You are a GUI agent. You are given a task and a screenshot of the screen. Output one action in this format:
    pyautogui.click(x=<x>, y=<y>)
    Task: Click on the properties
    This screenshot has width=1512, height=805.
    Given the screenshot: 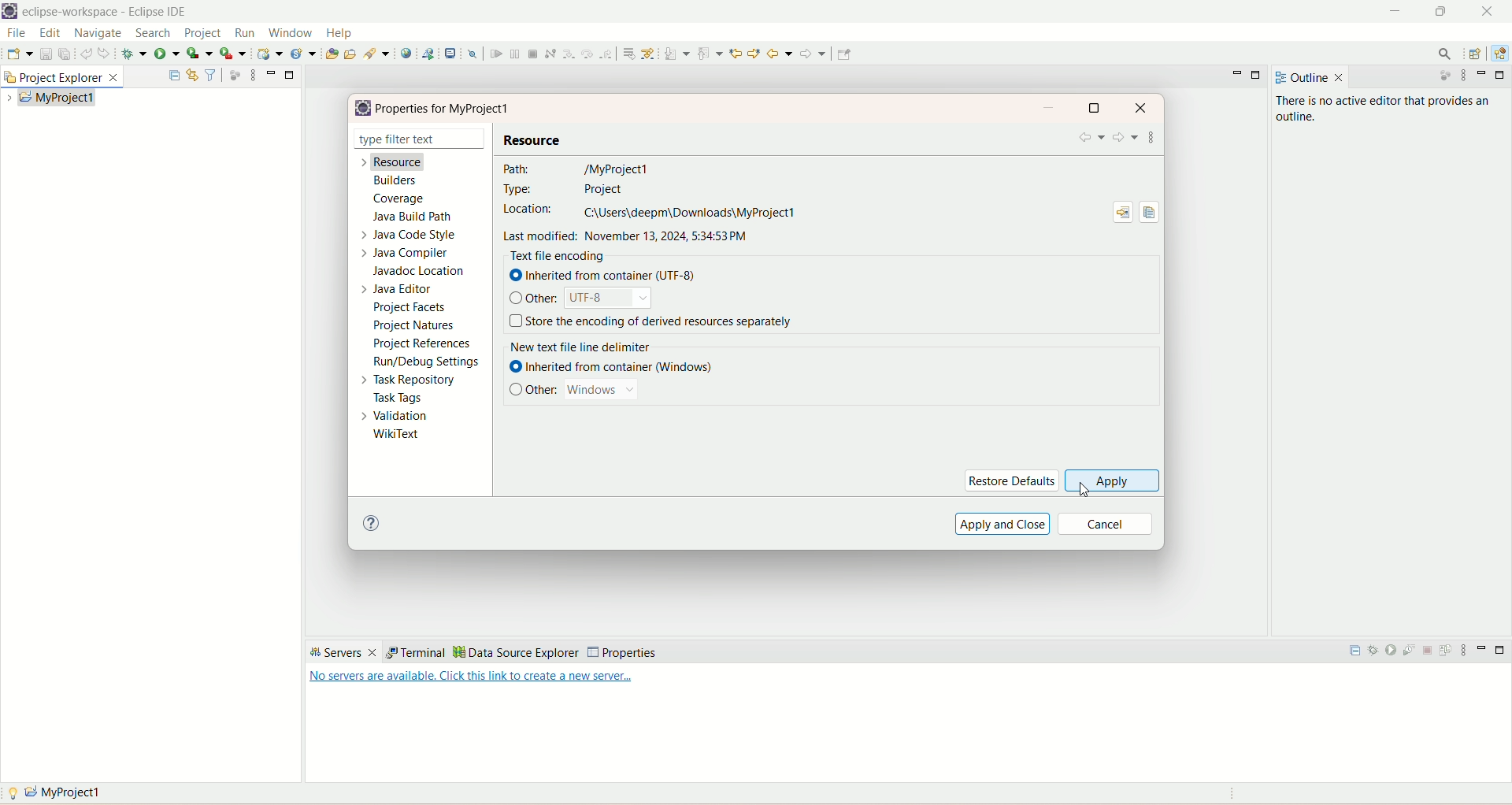 What is the action you would take?
    pyautogui.click(x=447, y=109)
    